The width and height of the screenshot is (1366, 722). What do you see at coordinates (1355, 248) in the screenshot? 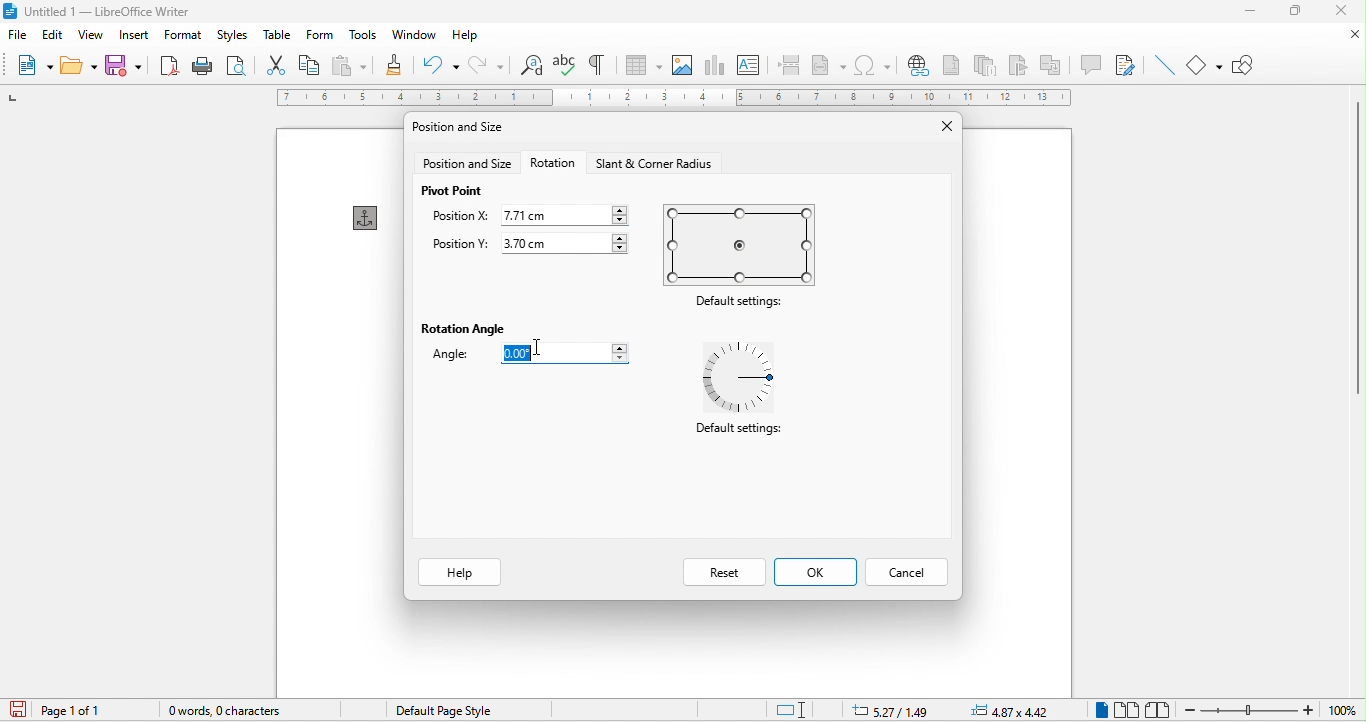
I see `vertical scroll bar` at bounding box center [1355, 248].